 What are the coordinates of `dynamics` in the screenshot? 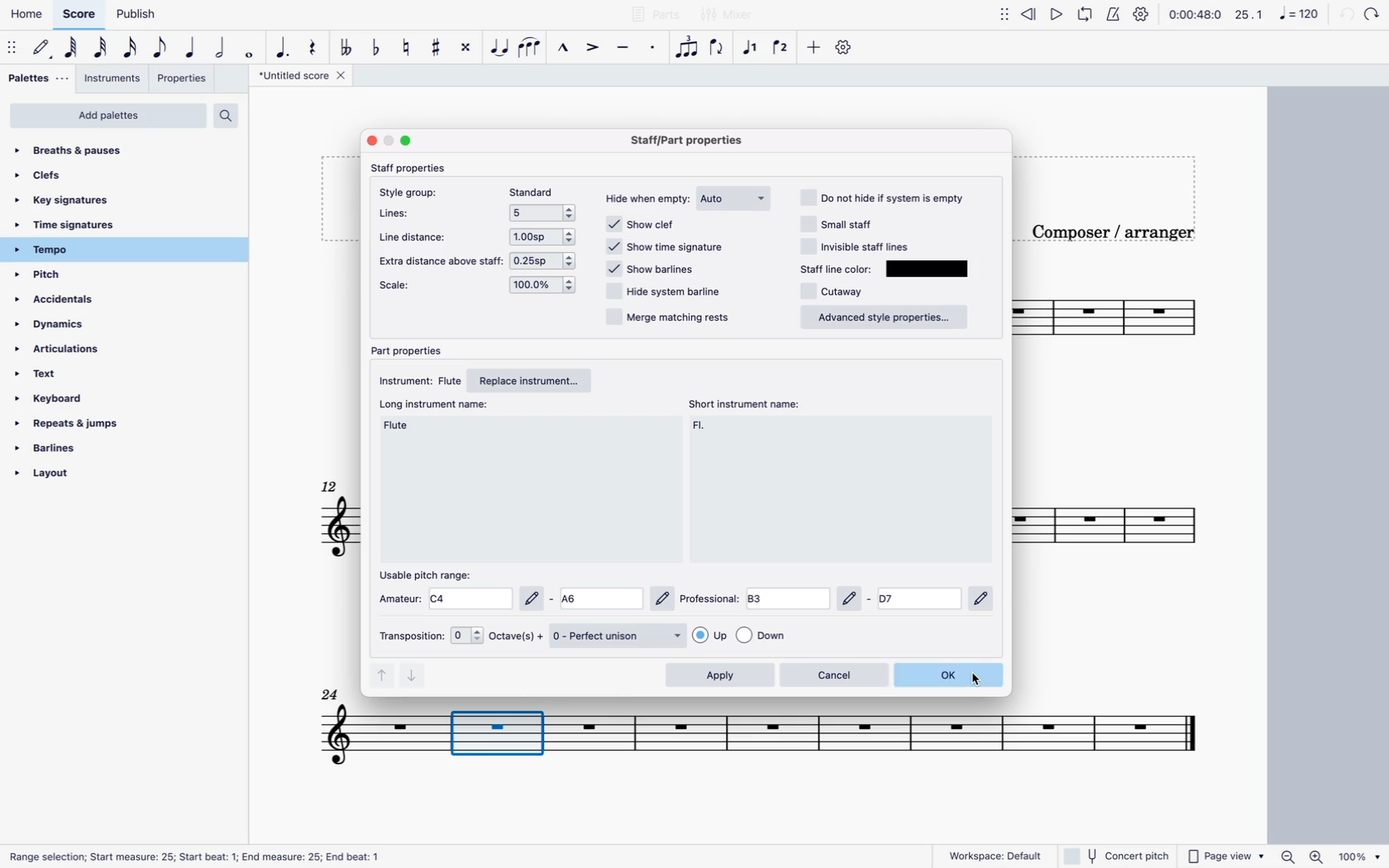 It's located at (59, 324).